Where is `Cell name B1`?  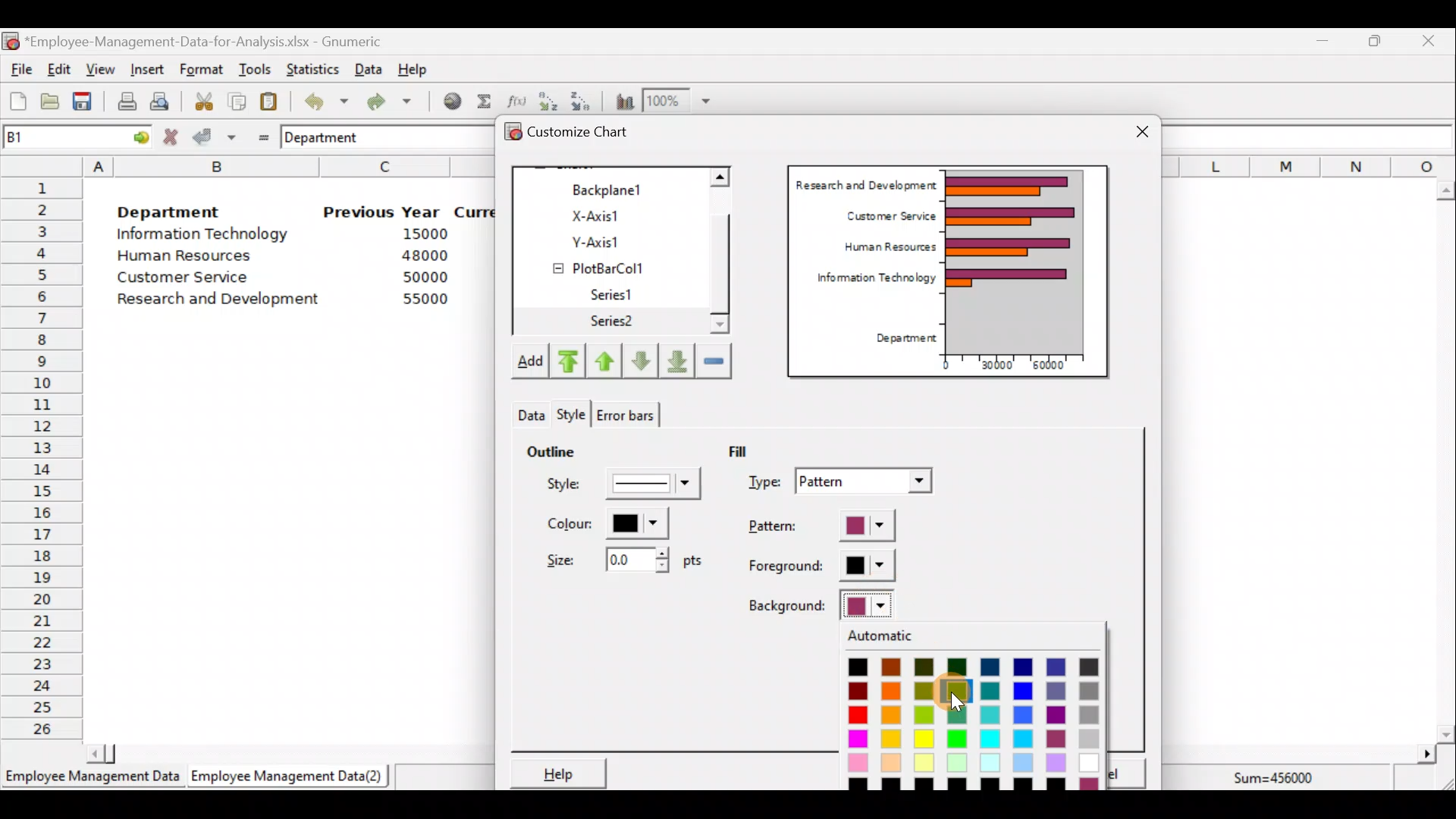 Cell name B1 is located at coordinates (50, 136).